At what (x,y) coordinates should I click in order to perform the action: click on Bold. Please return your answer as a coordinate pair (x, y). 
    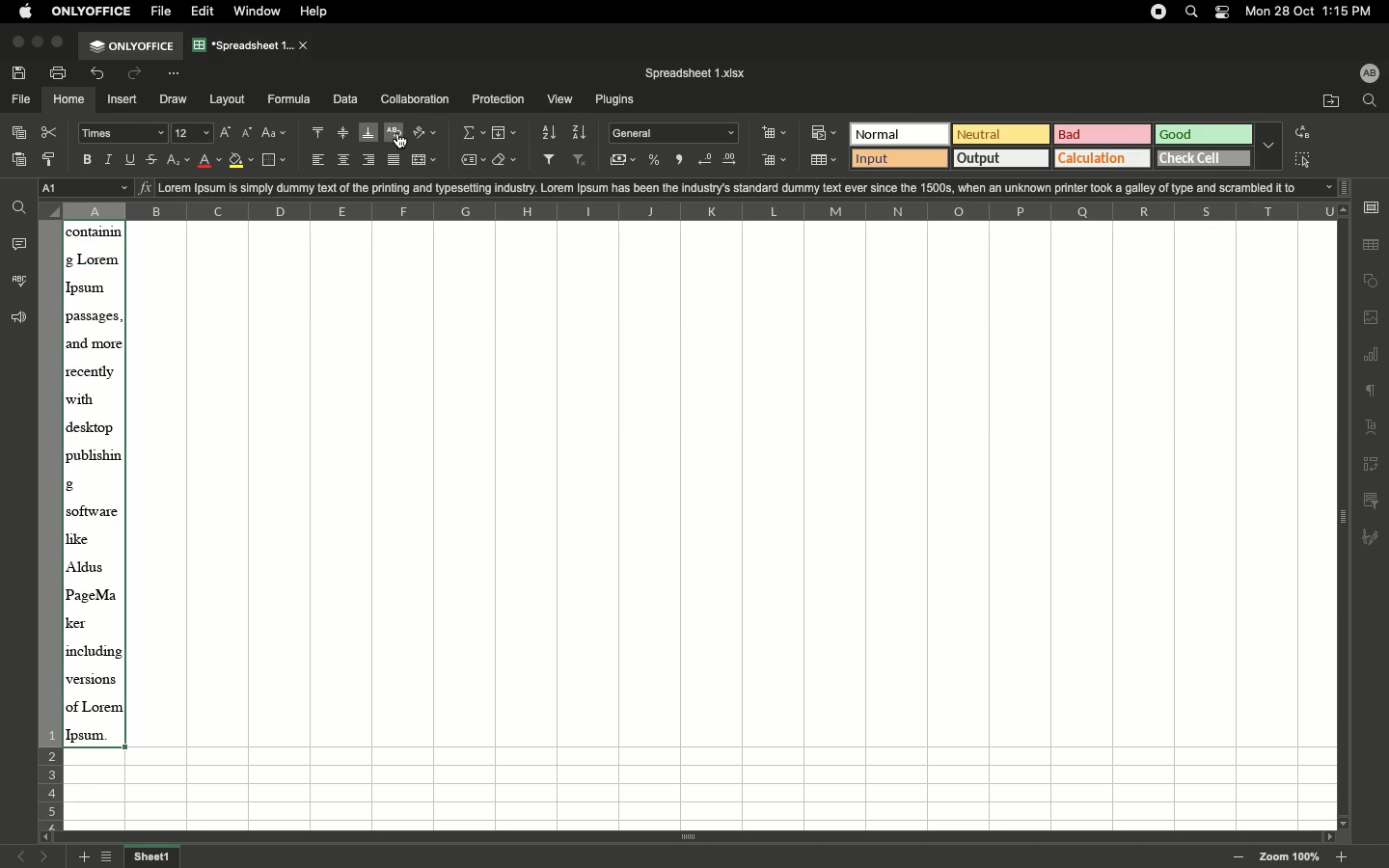
    Looking at the image, I should click on (89, 160).